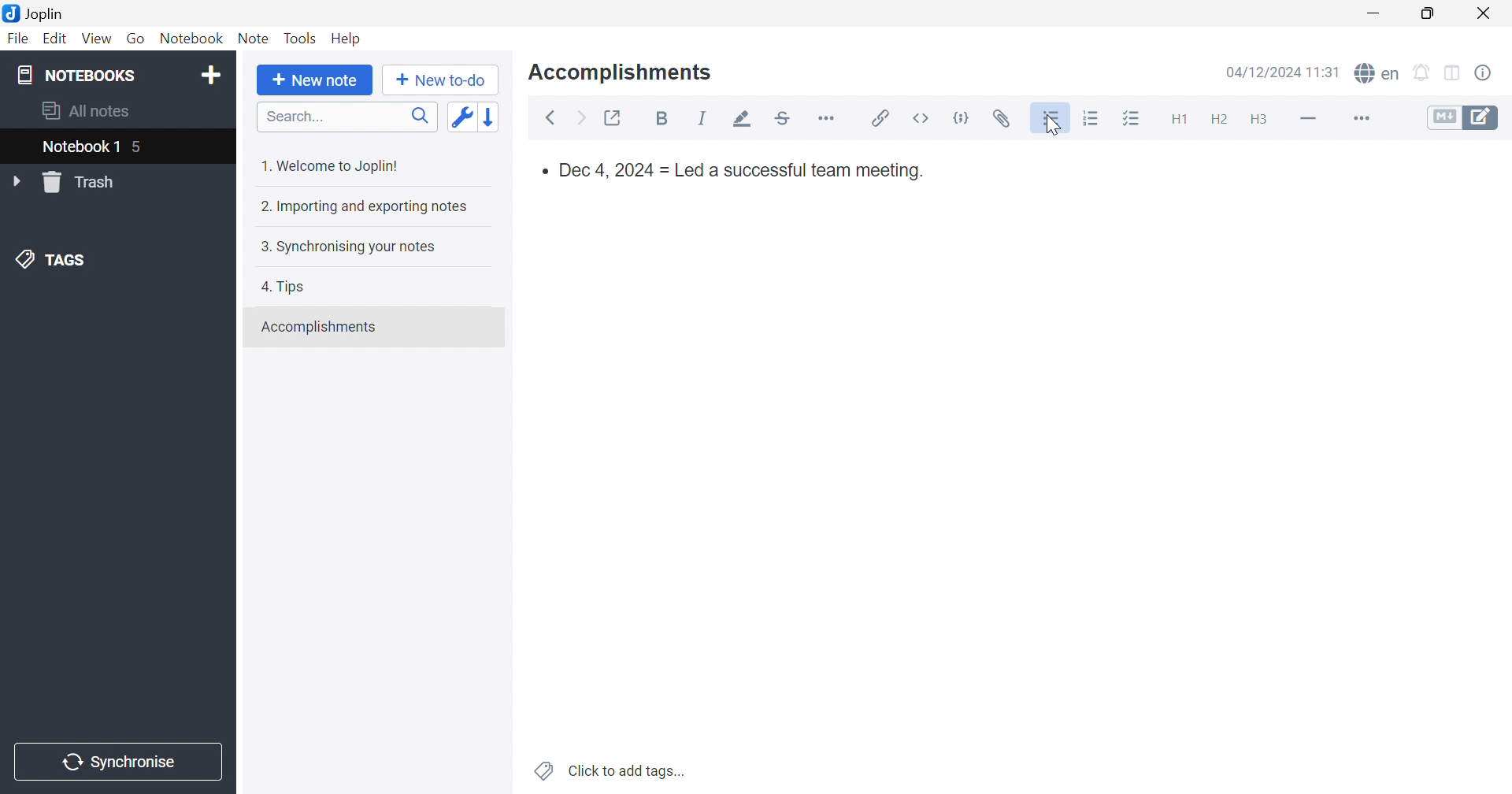  What do you see at coordinates (611, 770) in the screenshot?
I see `Click to add tags...` at bounding box center [611, 770].